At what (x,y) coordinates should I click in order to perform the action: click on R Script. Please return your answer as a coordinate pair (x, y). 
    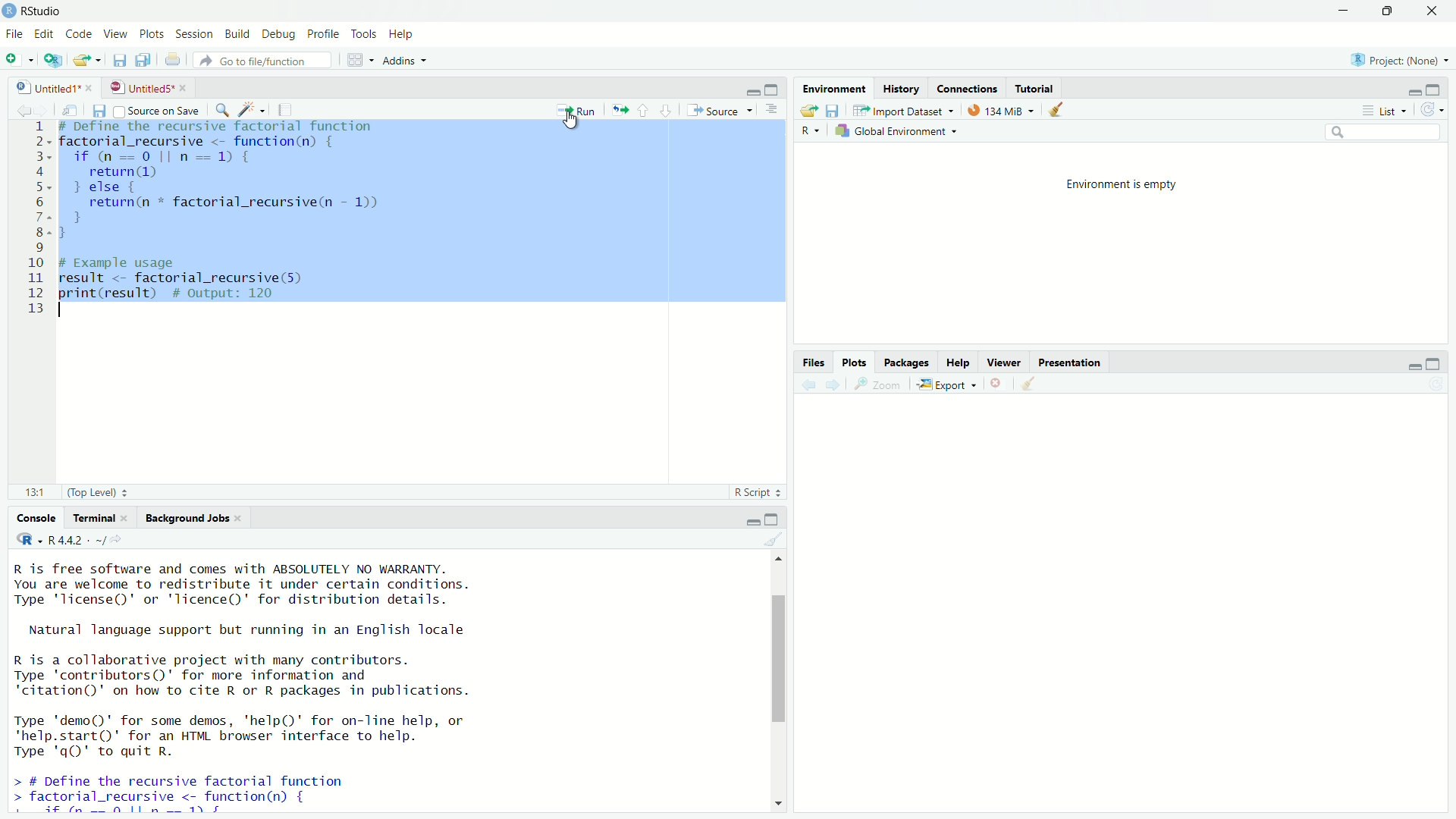
    Looking at the image, I should click on (756, 492).